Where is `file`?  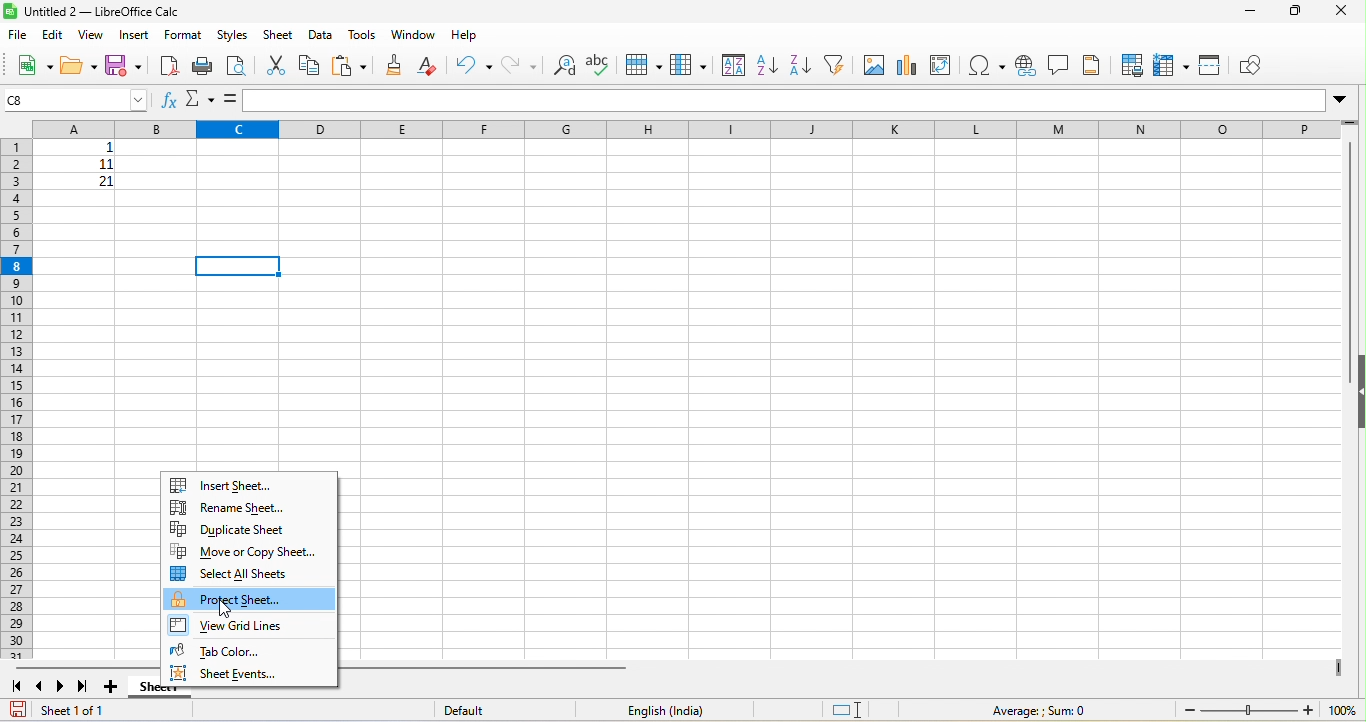
file is located at coordinates (16, 37).